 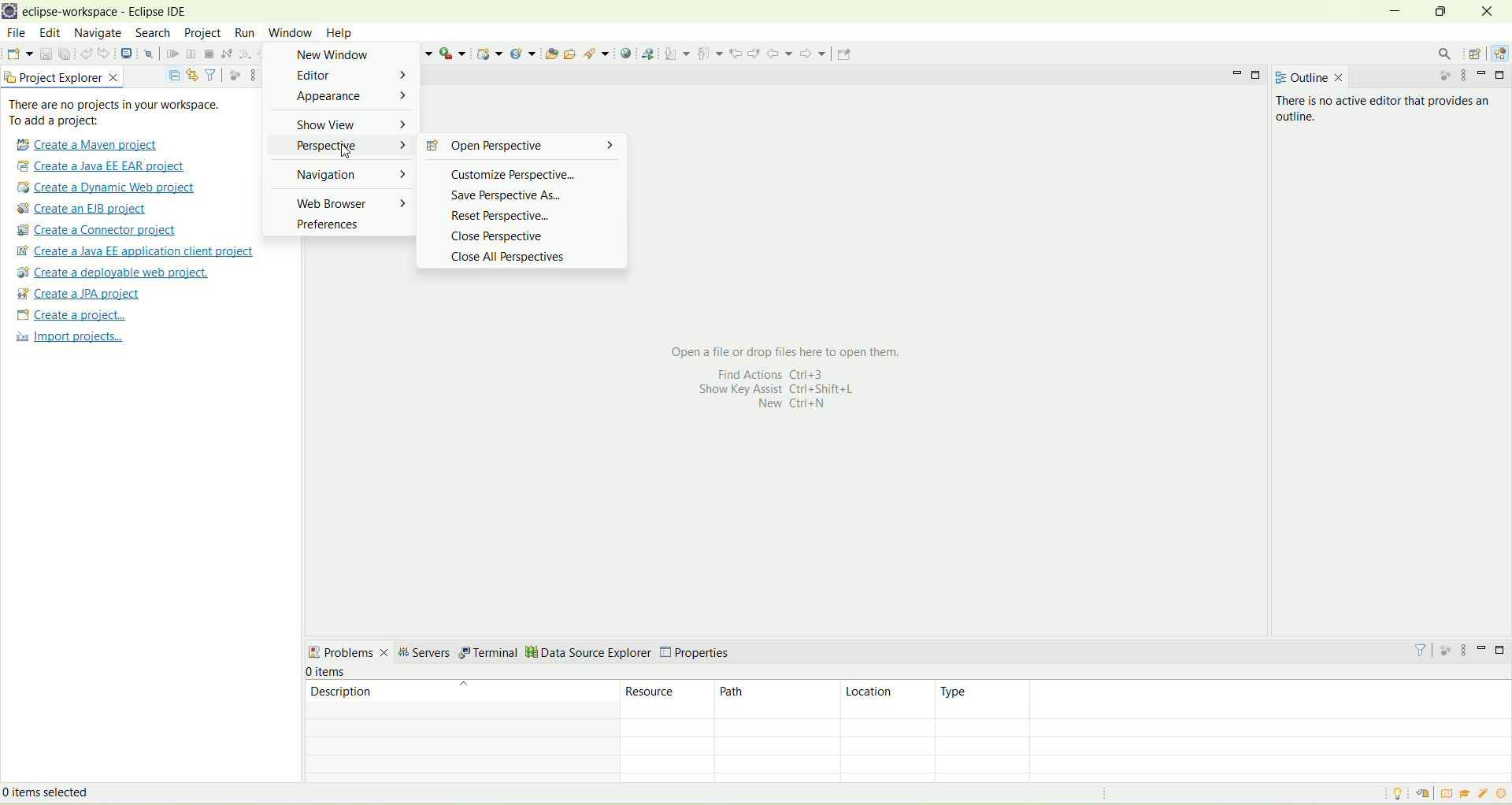 I want to click on create a project, so click(x=69, y=315).